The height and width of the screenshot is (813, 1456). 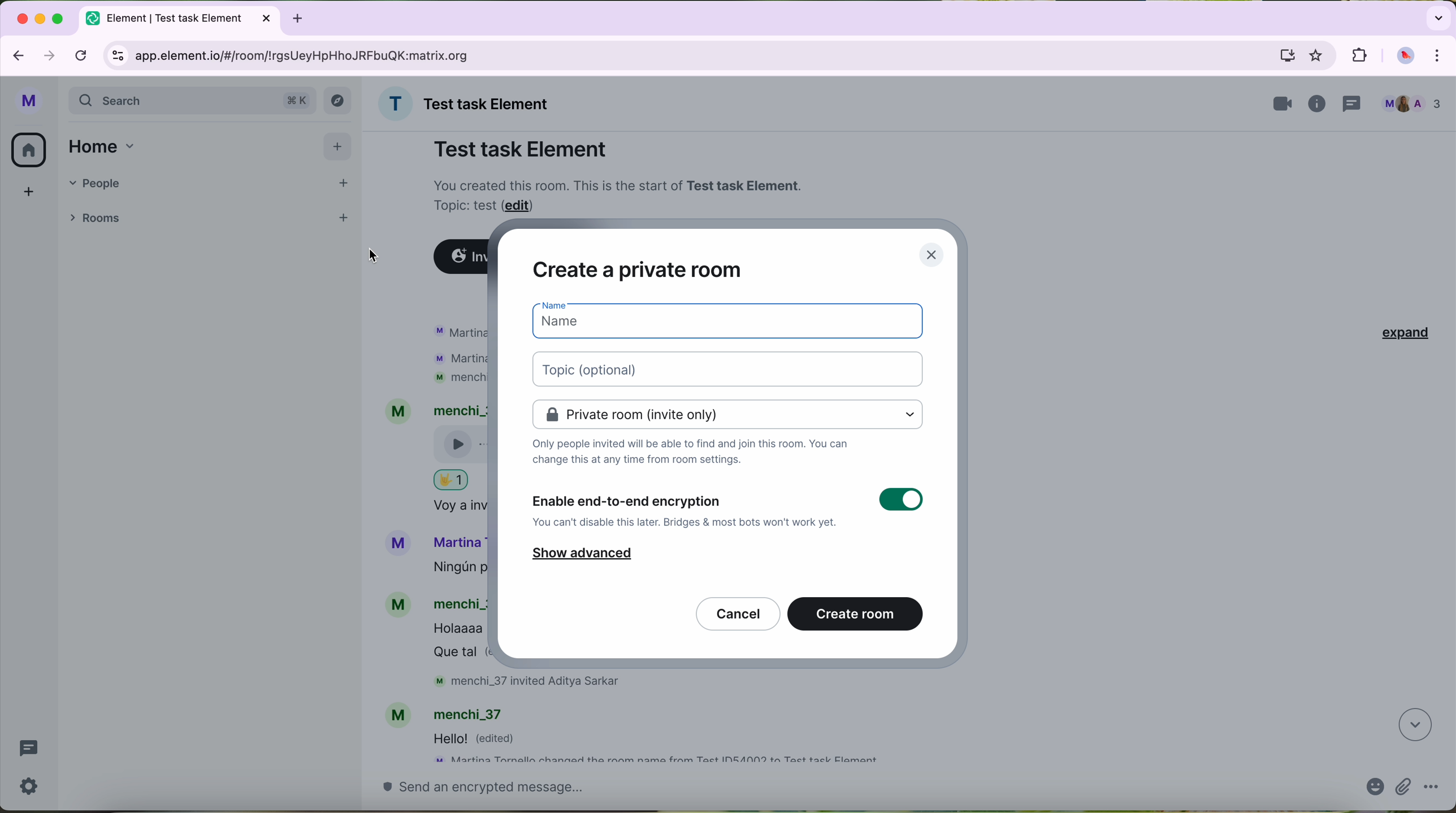 I want to click on more options, so click(x=1432, y=789).